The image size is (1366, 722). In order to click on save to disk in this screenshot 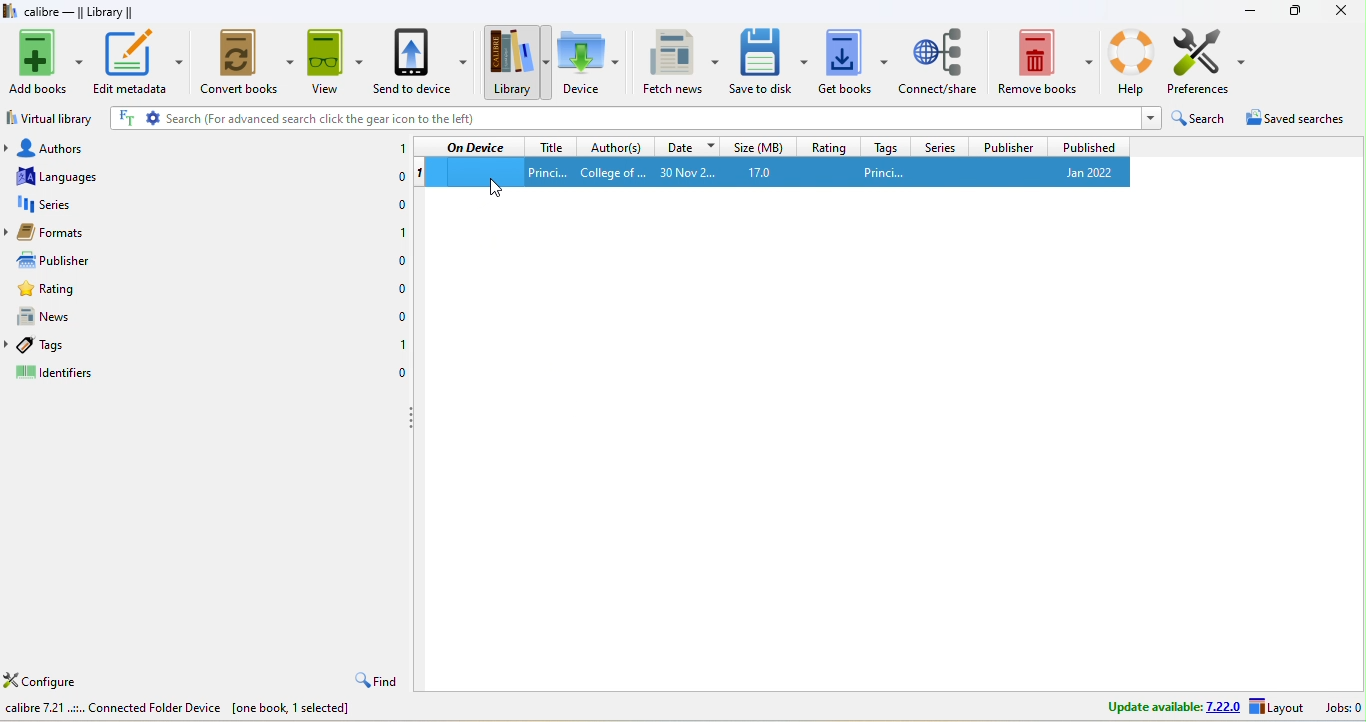, I will do `click(769, 60)`.